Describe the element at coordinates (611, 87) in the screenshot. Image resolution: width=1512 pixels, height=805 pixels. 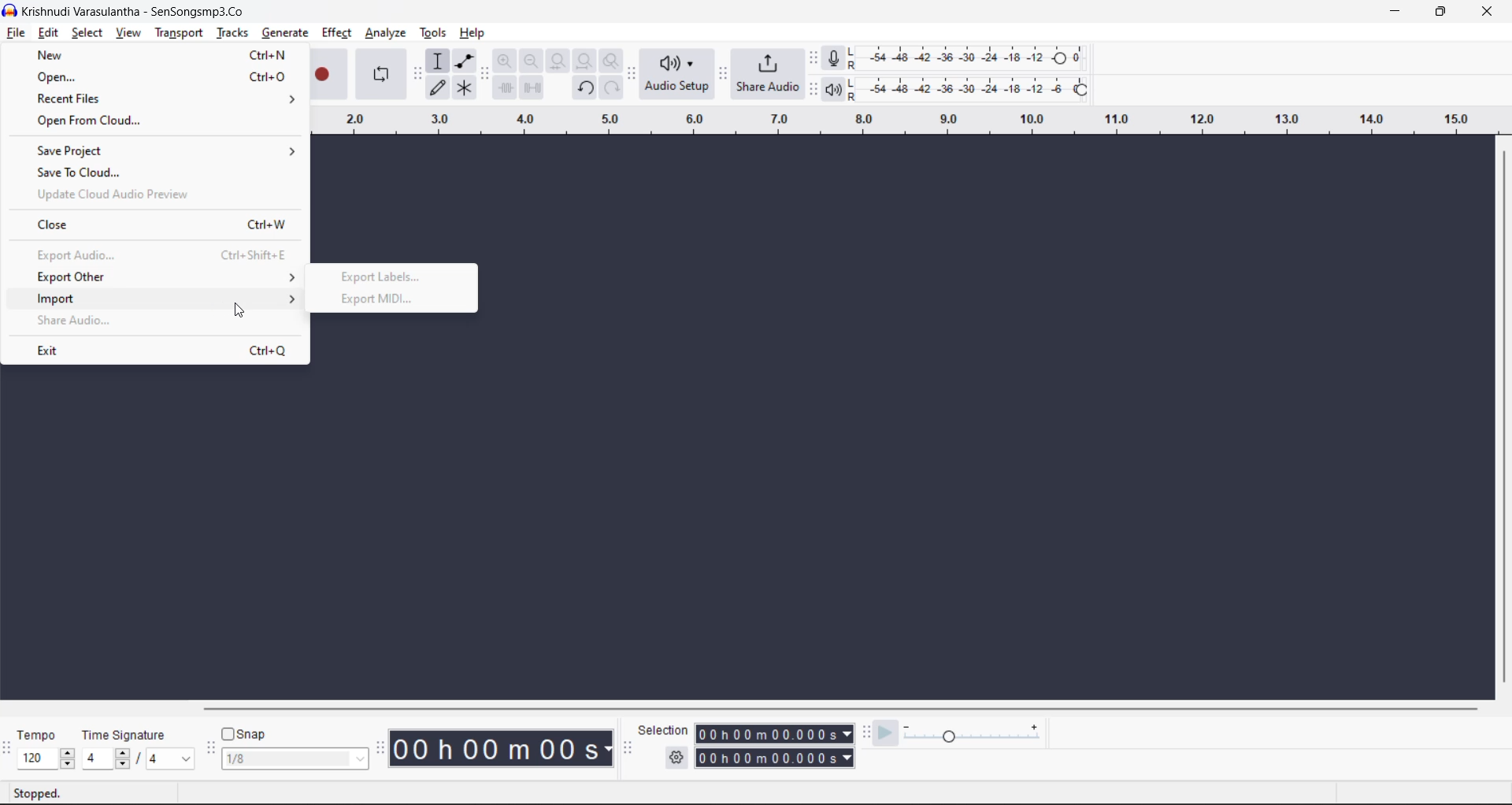
I see `redo` at that location.